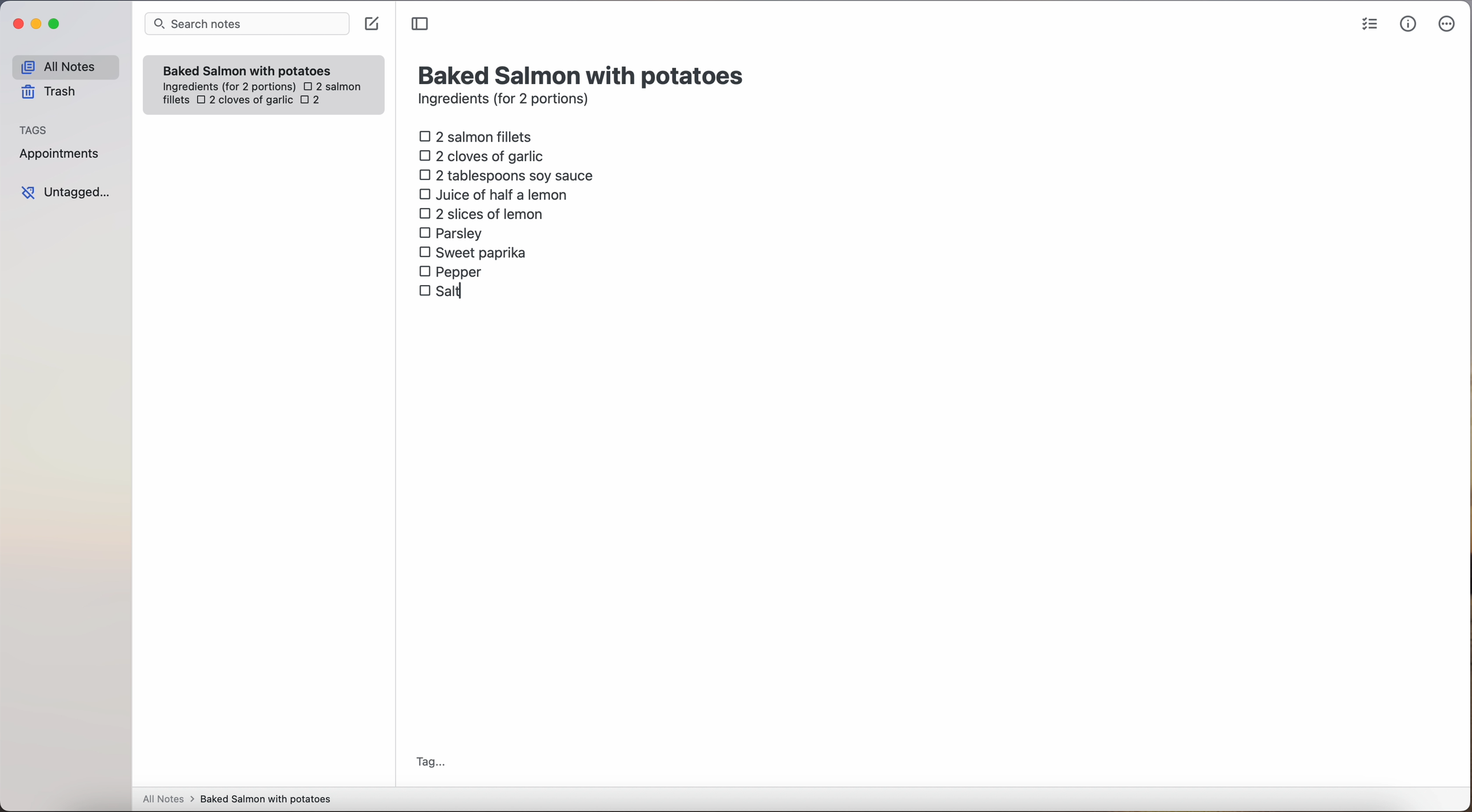 This screenshot has height=812, width=1472. What do you see at coordinates (177, 101) in the screenshot?
I see `fillets` at bounding box center [177, 101].